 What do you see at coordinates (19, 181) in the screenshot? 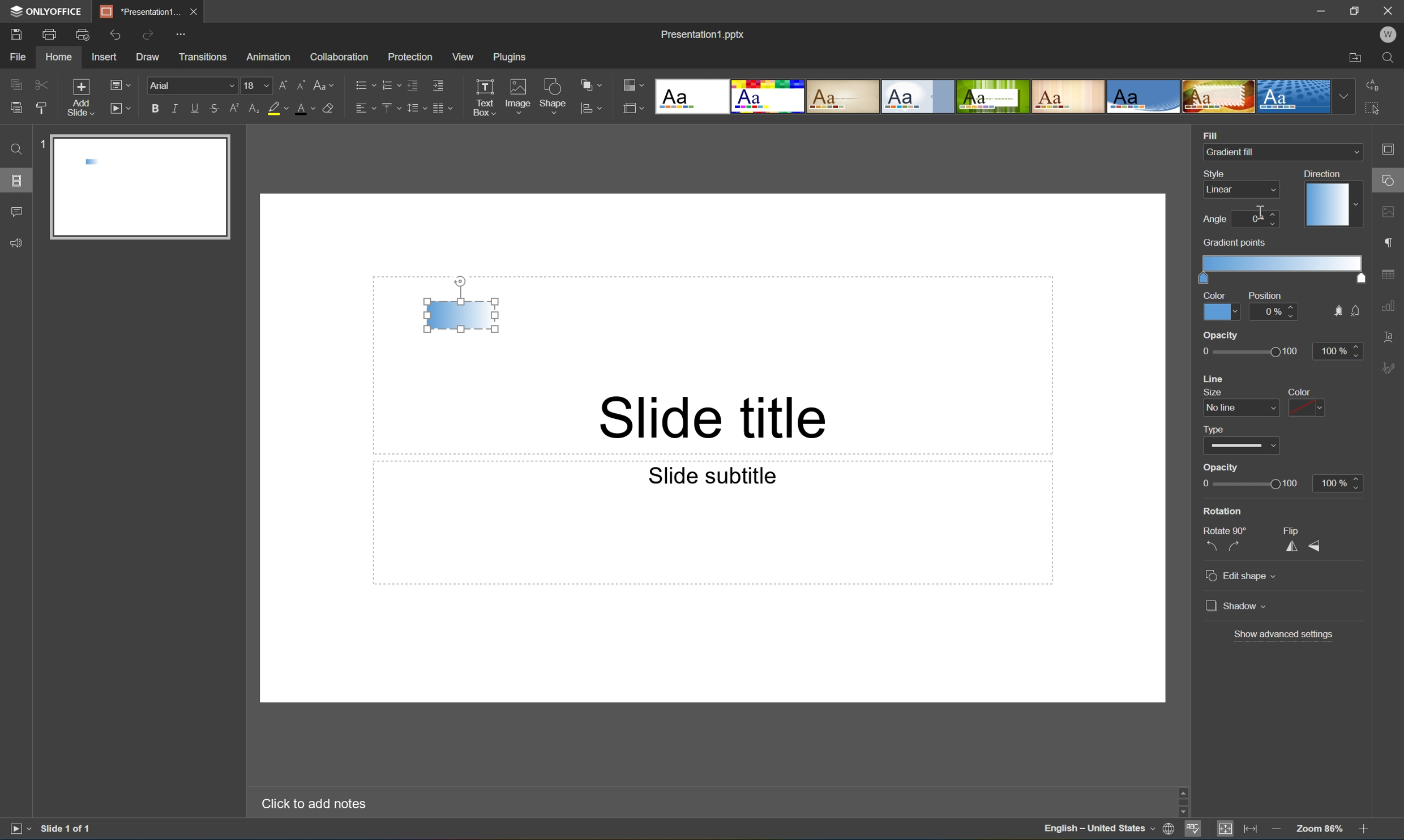
I see `Slides` at bounding box center [19, 181].